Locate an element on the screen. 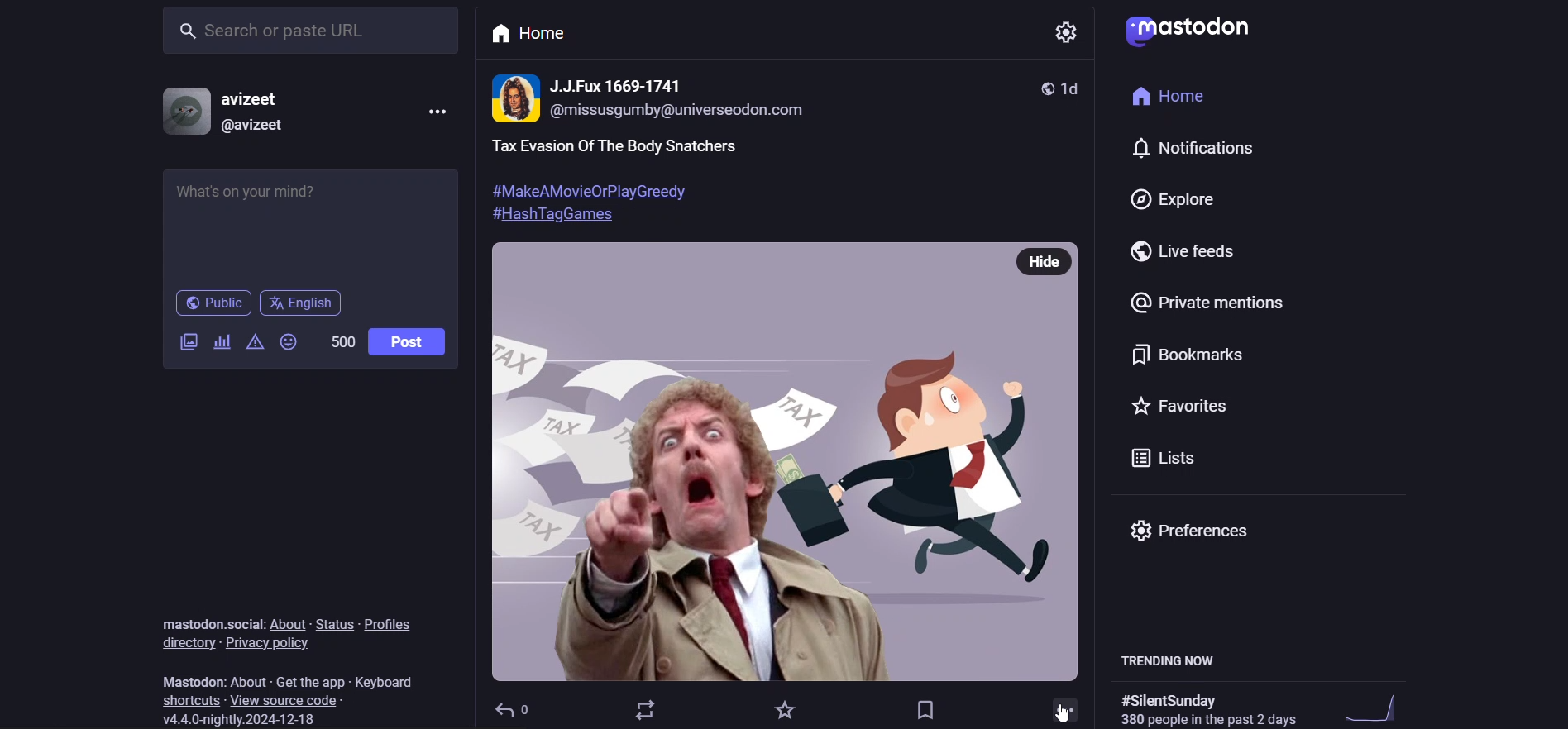 The image size is (1568, 729). image/video is located at coordinates (189, 342).